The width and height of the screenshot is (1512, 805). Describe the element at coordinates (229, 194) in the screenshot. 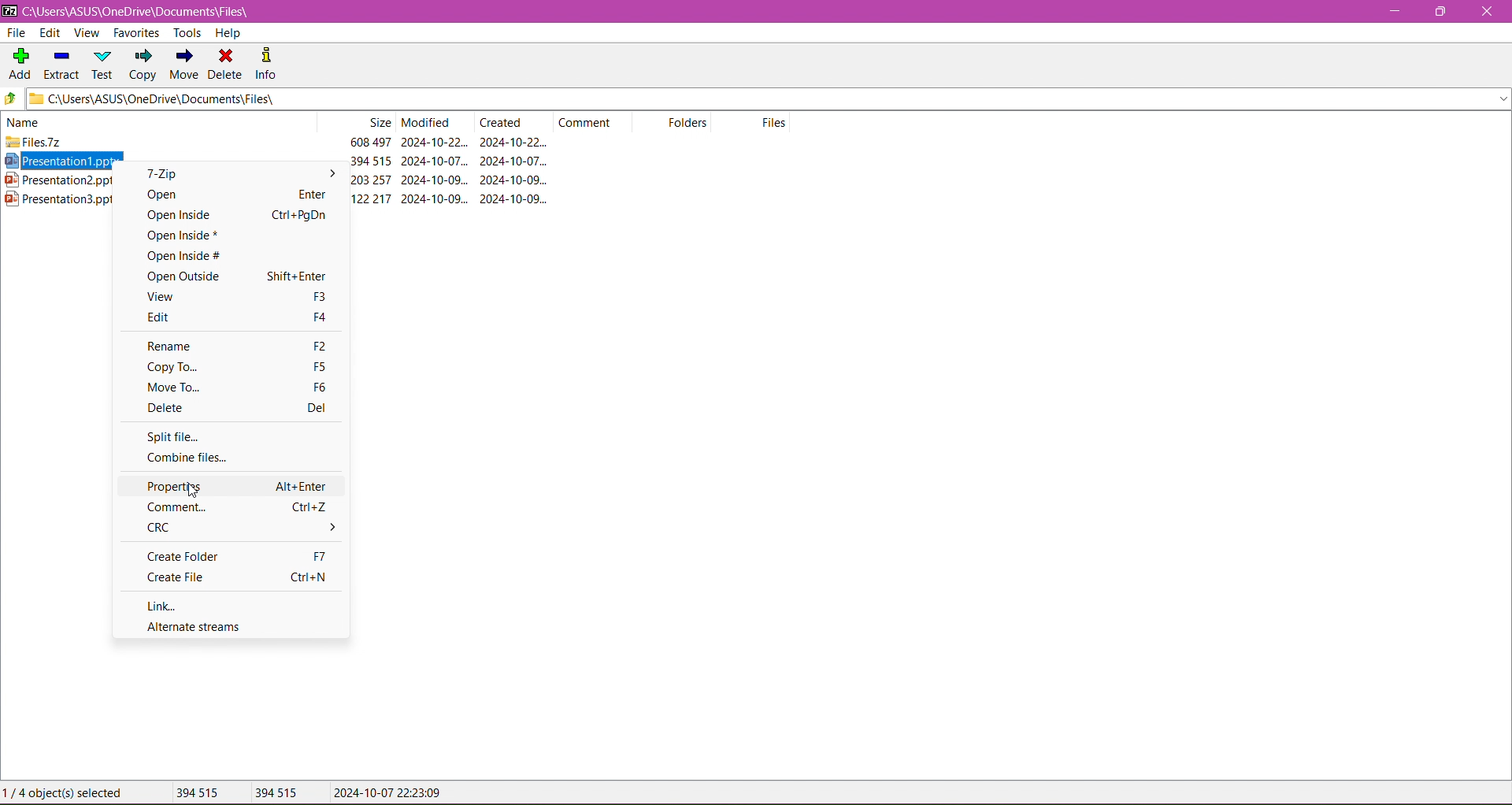

I see `Open` at that location.